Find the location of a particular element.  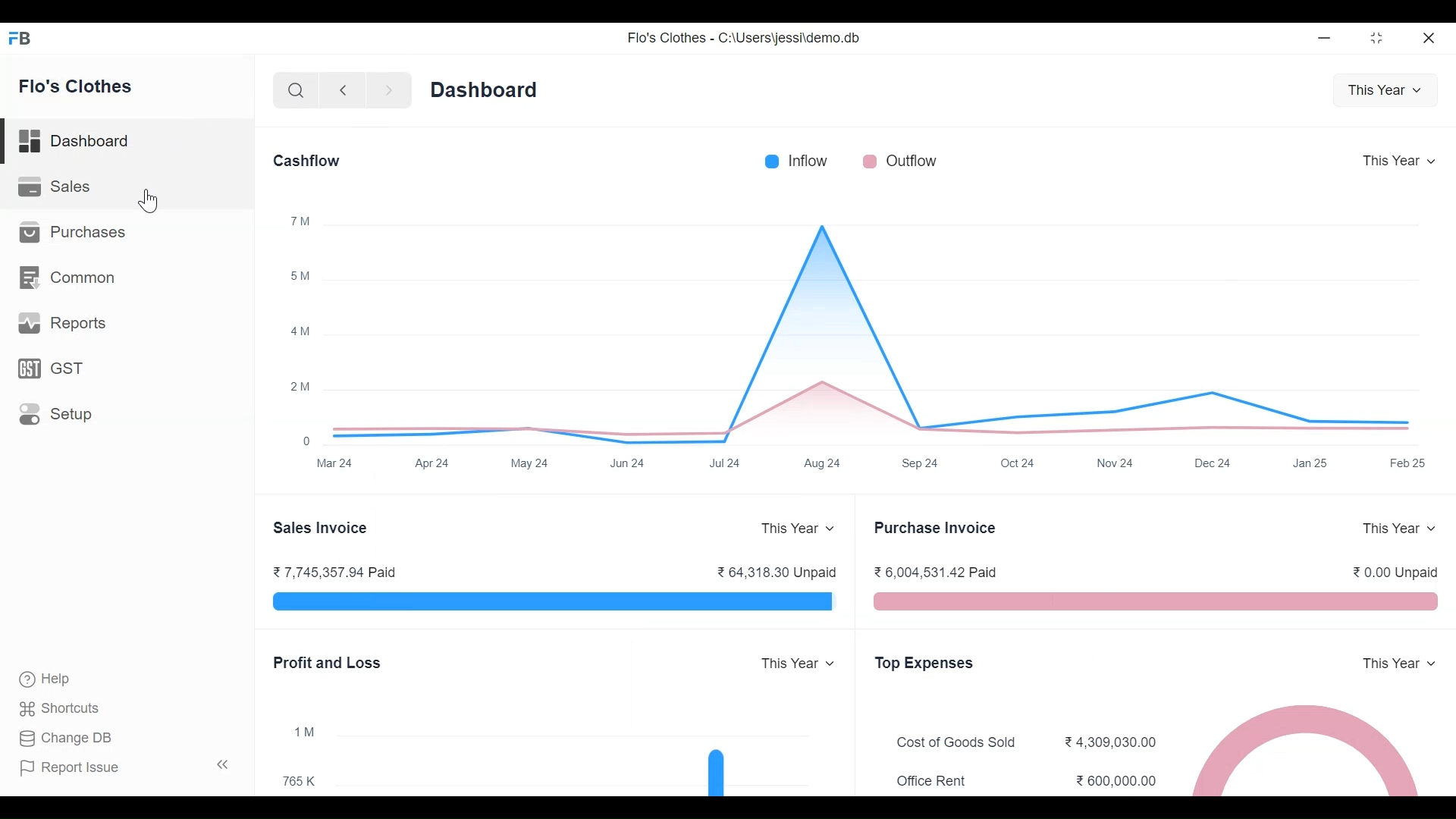

5M is located at coordinates (301, 275).